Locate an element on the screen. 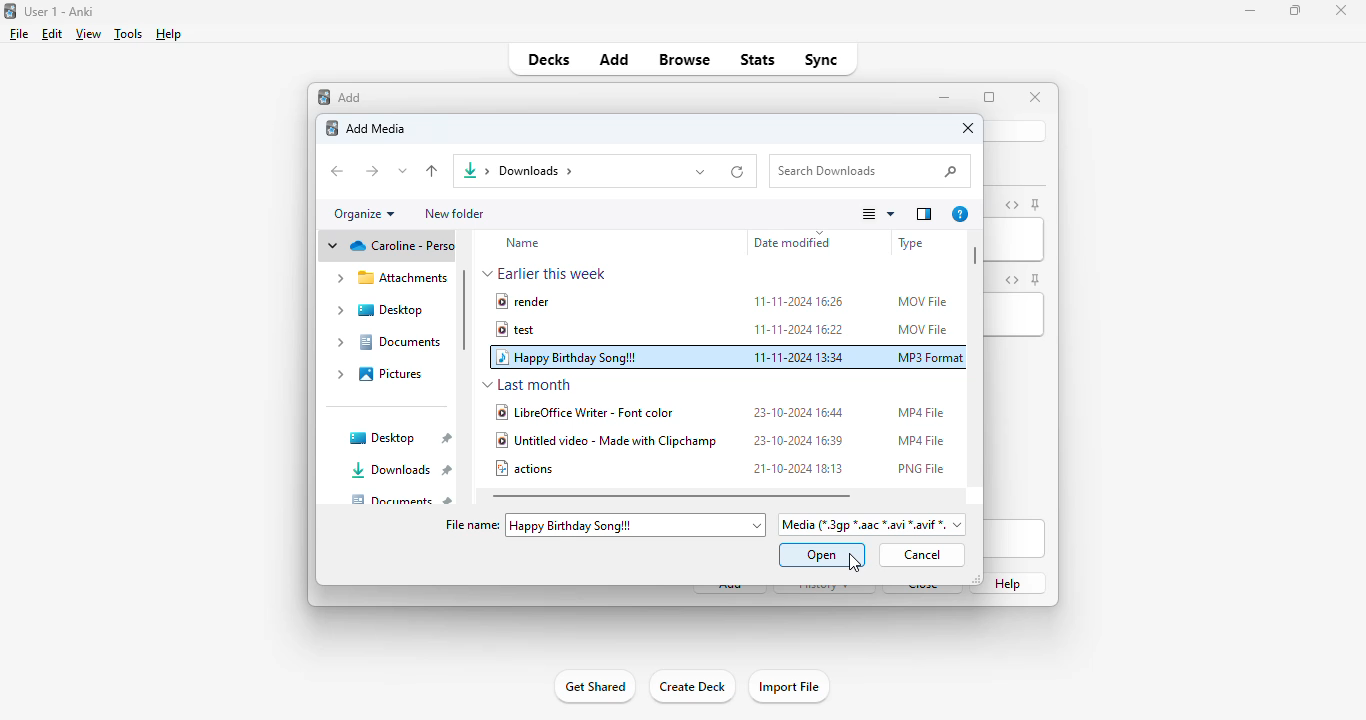 This screenshot has width=1366, height=720. view is located at coordinates (89, 34).